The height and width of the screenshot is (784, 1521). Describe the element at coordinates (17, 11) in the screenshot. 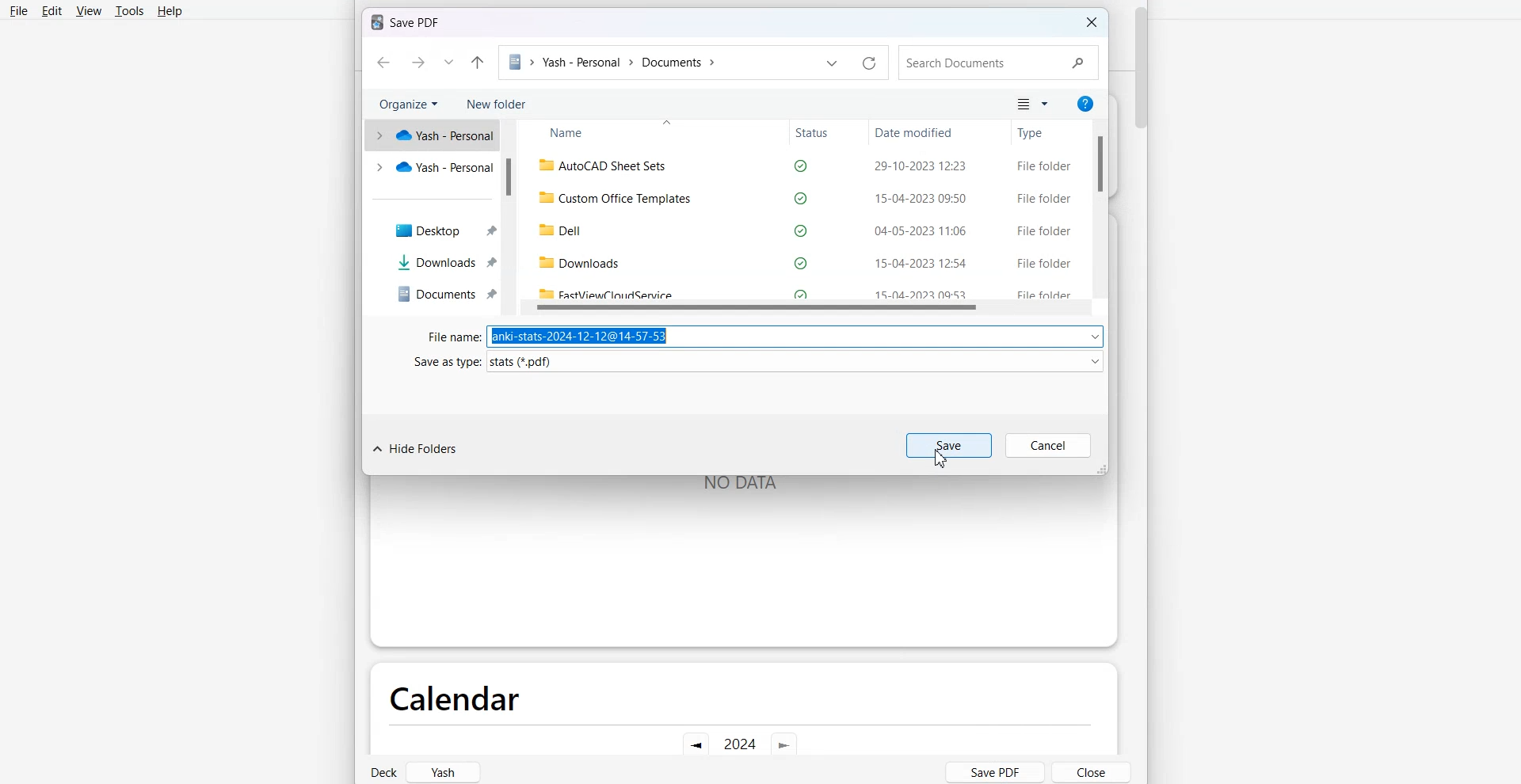

I see `File` at that location.